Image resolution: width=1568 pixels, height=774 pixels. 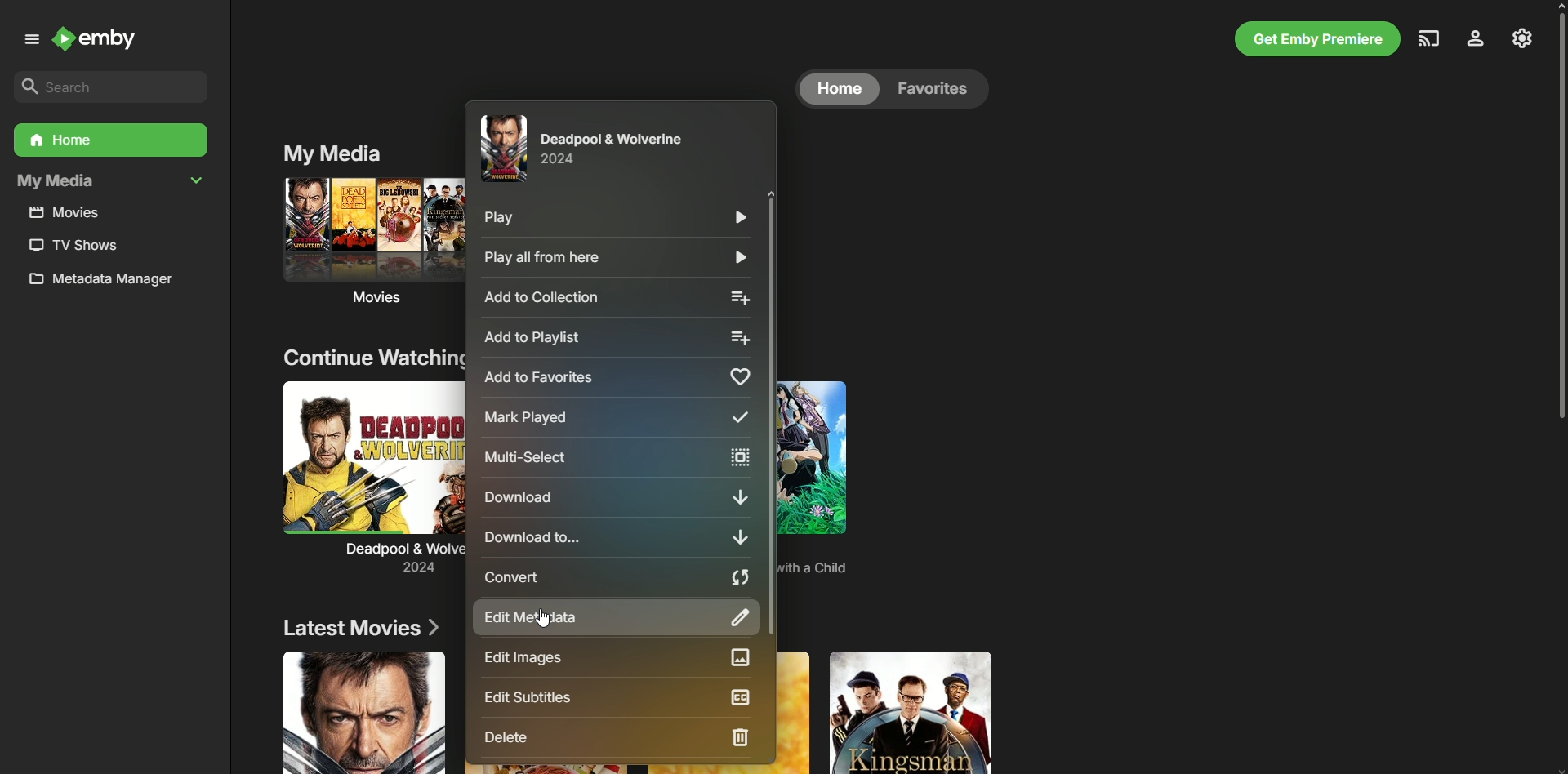 What do you see at coordinates (619, 699) in the screenshot?
I see `Edit Subtitles` at bounding box center [619, 699].